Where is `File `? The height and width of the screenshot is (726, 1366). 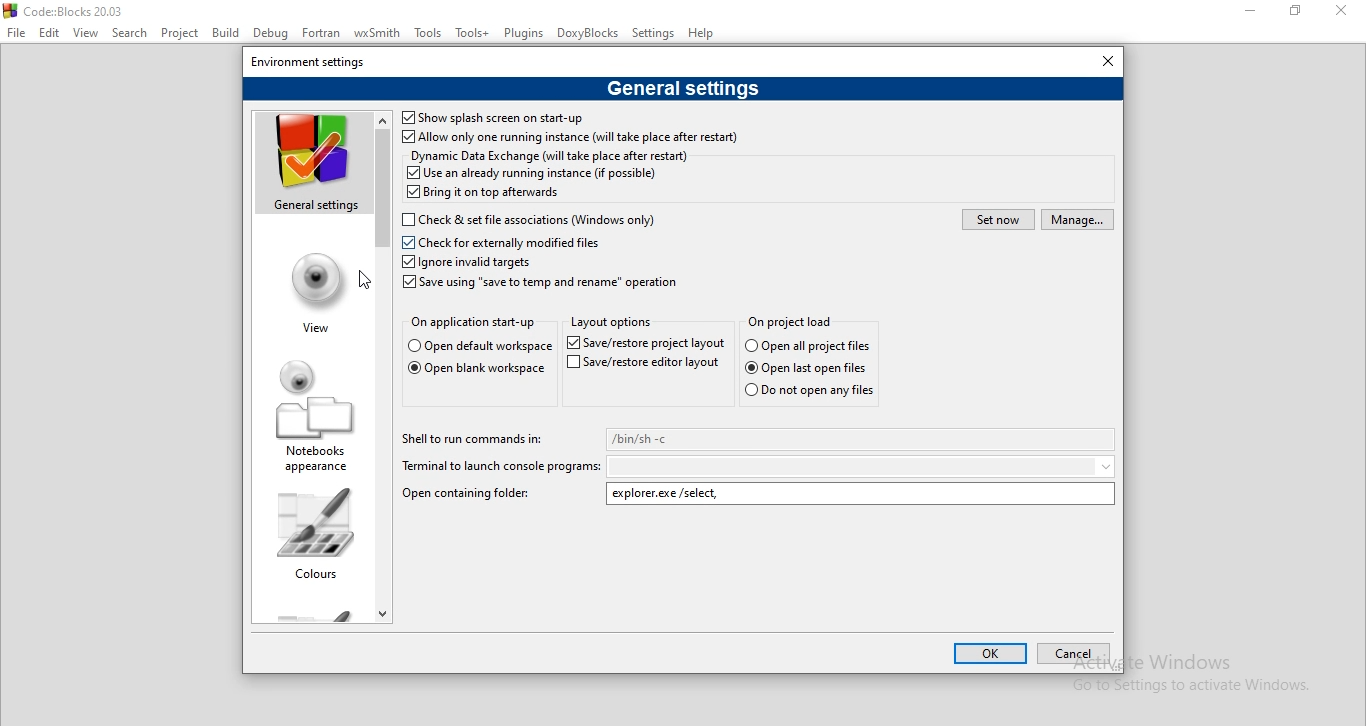 File  is located at coordinates (16, 33).